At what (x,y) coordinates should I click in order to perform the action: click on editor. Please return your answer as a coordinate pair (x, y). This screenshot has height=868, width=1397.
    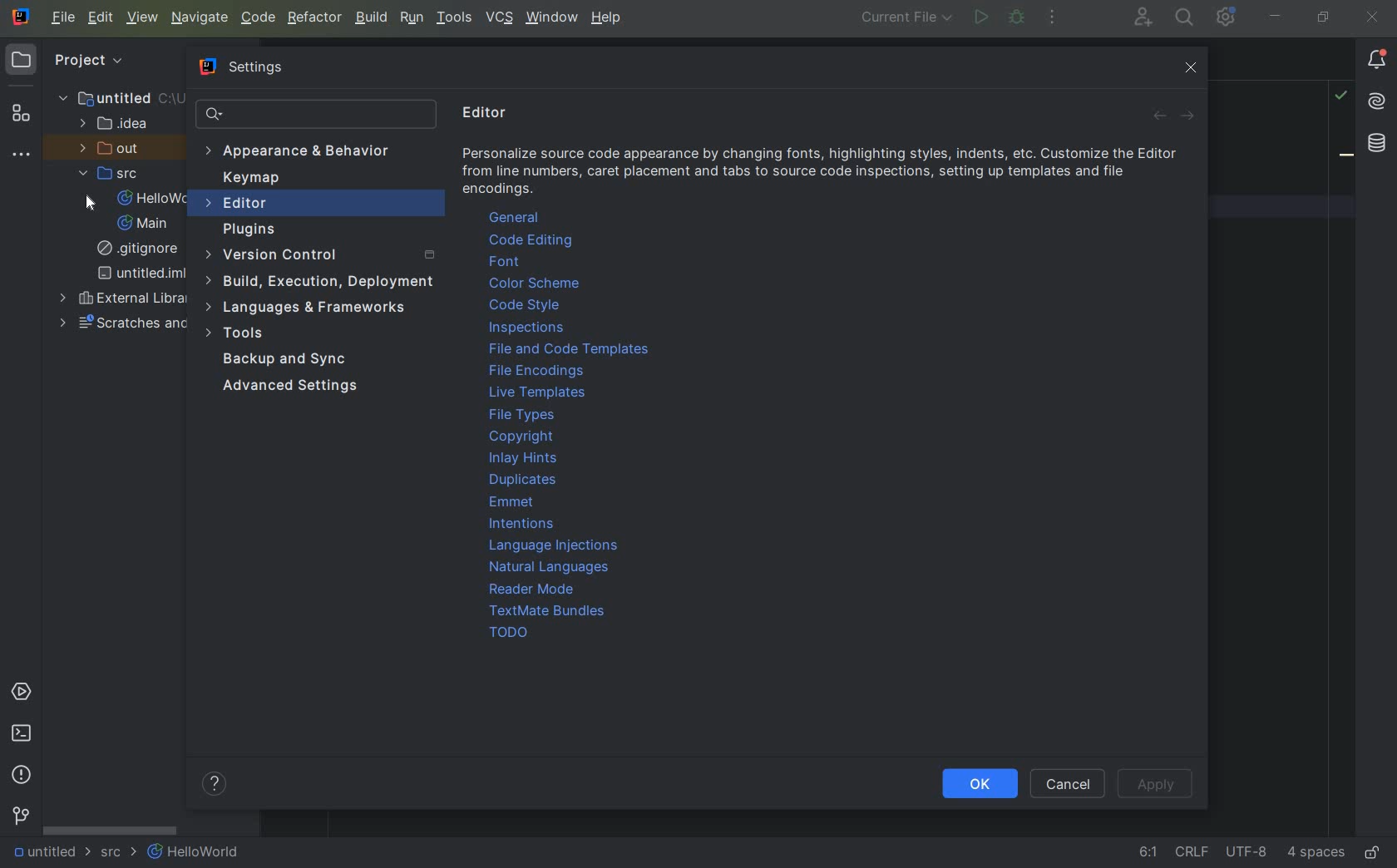
    Looking at the image, I should click on (494, 112).